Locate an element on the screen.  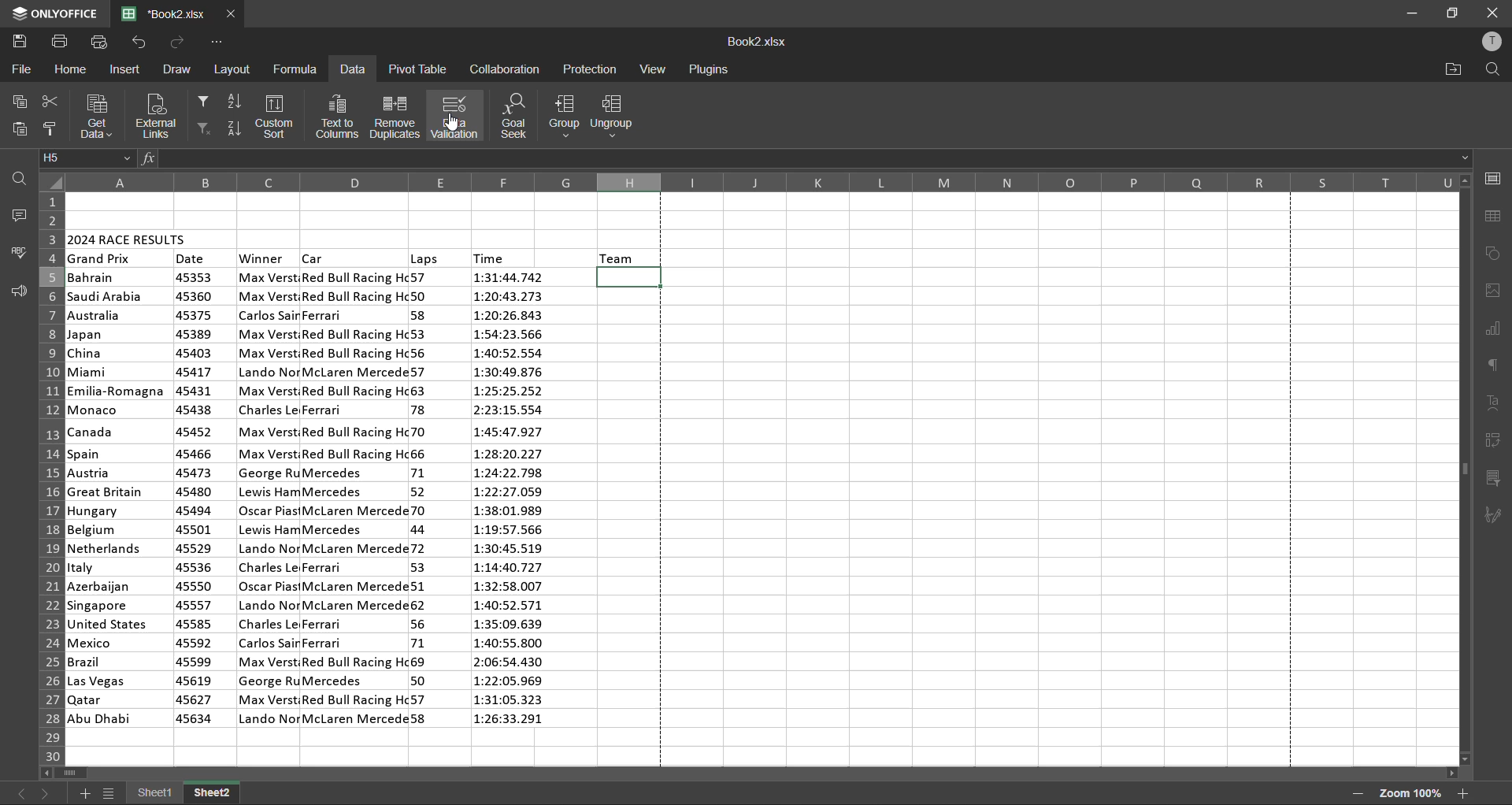
filename is located at coordinates (168, 13).